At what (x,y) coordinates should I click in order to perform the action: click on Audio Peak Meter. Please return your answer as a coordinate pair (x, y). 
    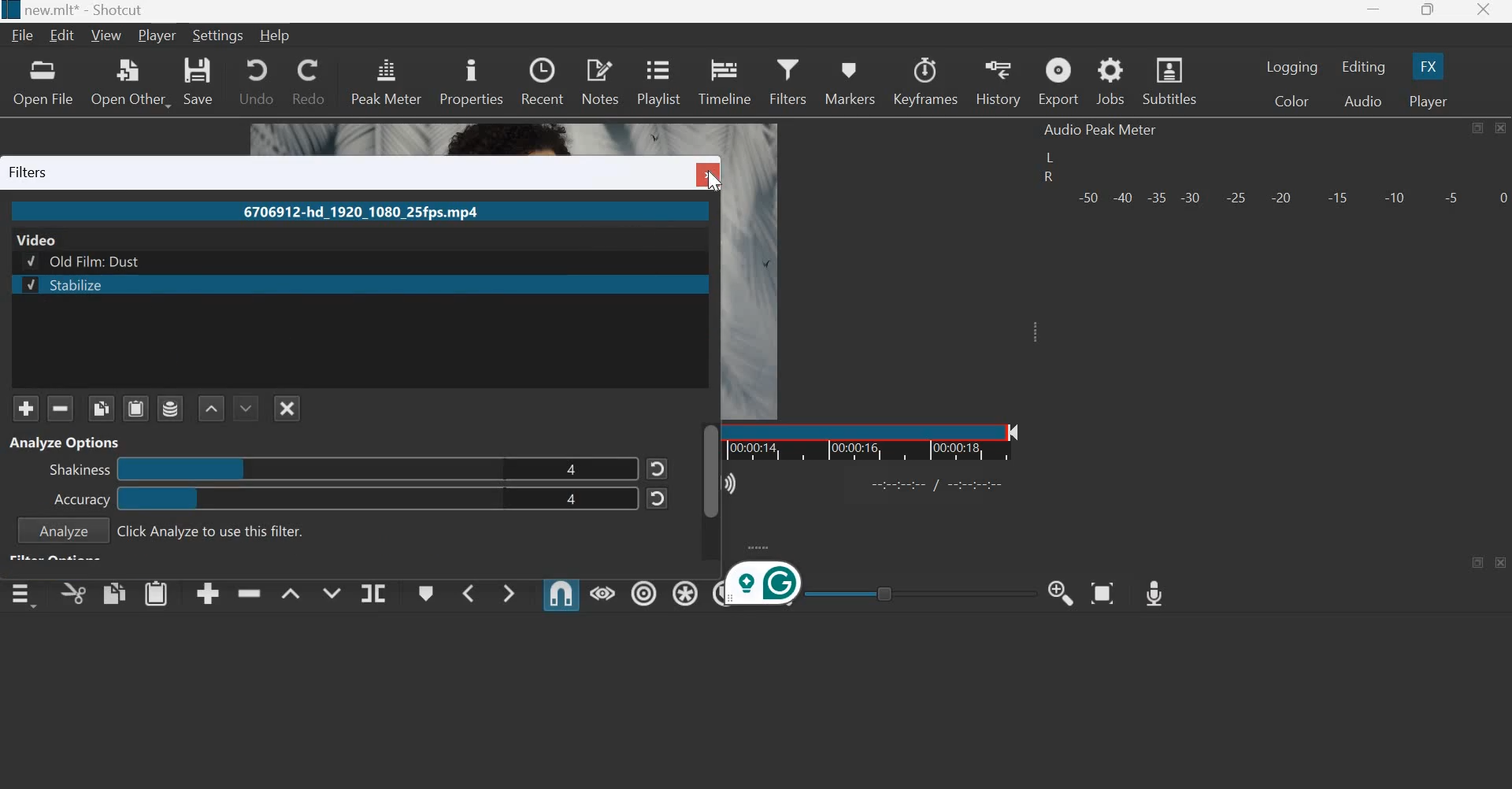
    Looking at the image, I should click on (1103, 130).